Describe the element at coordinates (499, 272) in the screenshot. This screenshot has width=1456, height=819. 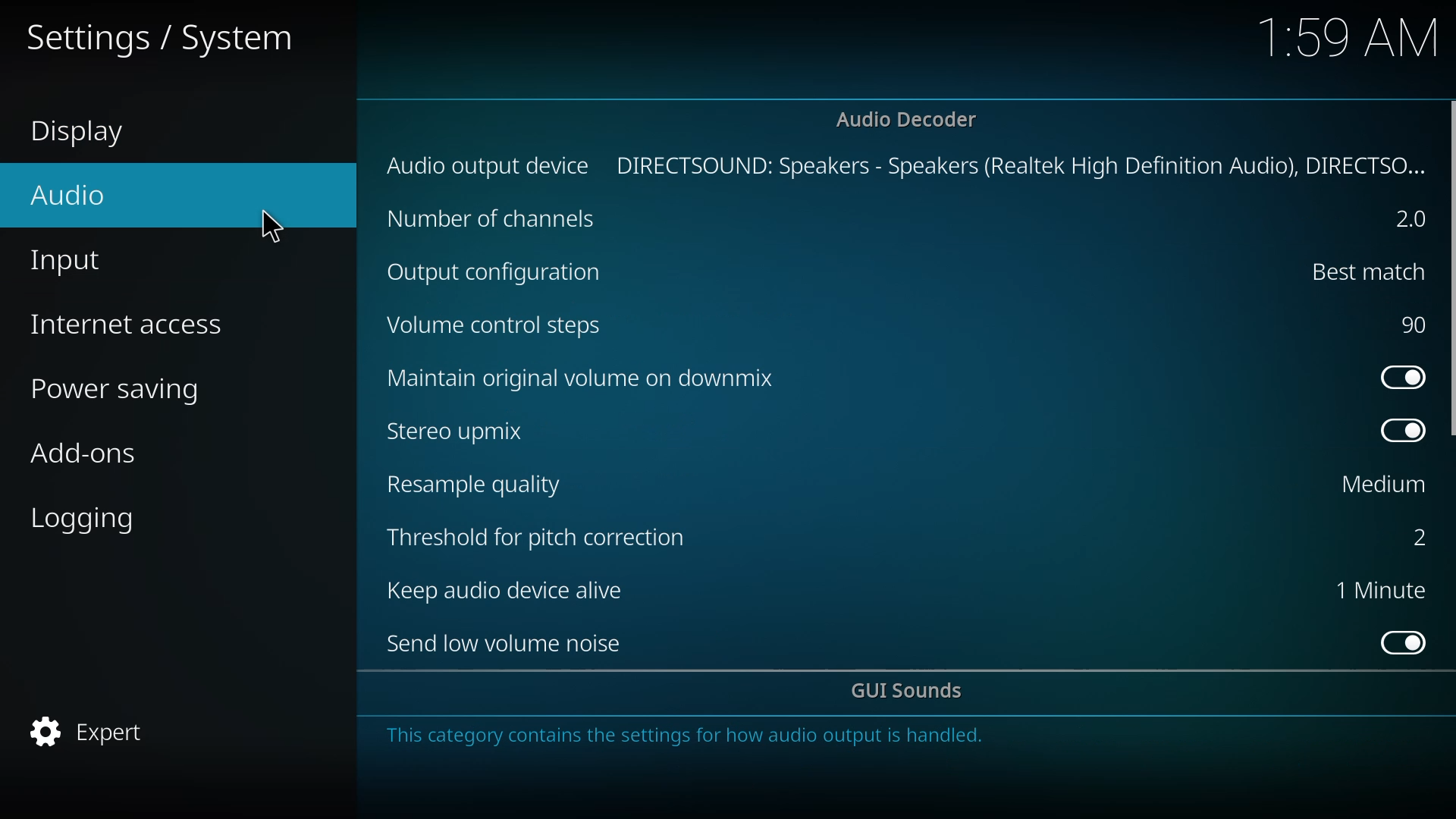
I see `output configuration` at that location.